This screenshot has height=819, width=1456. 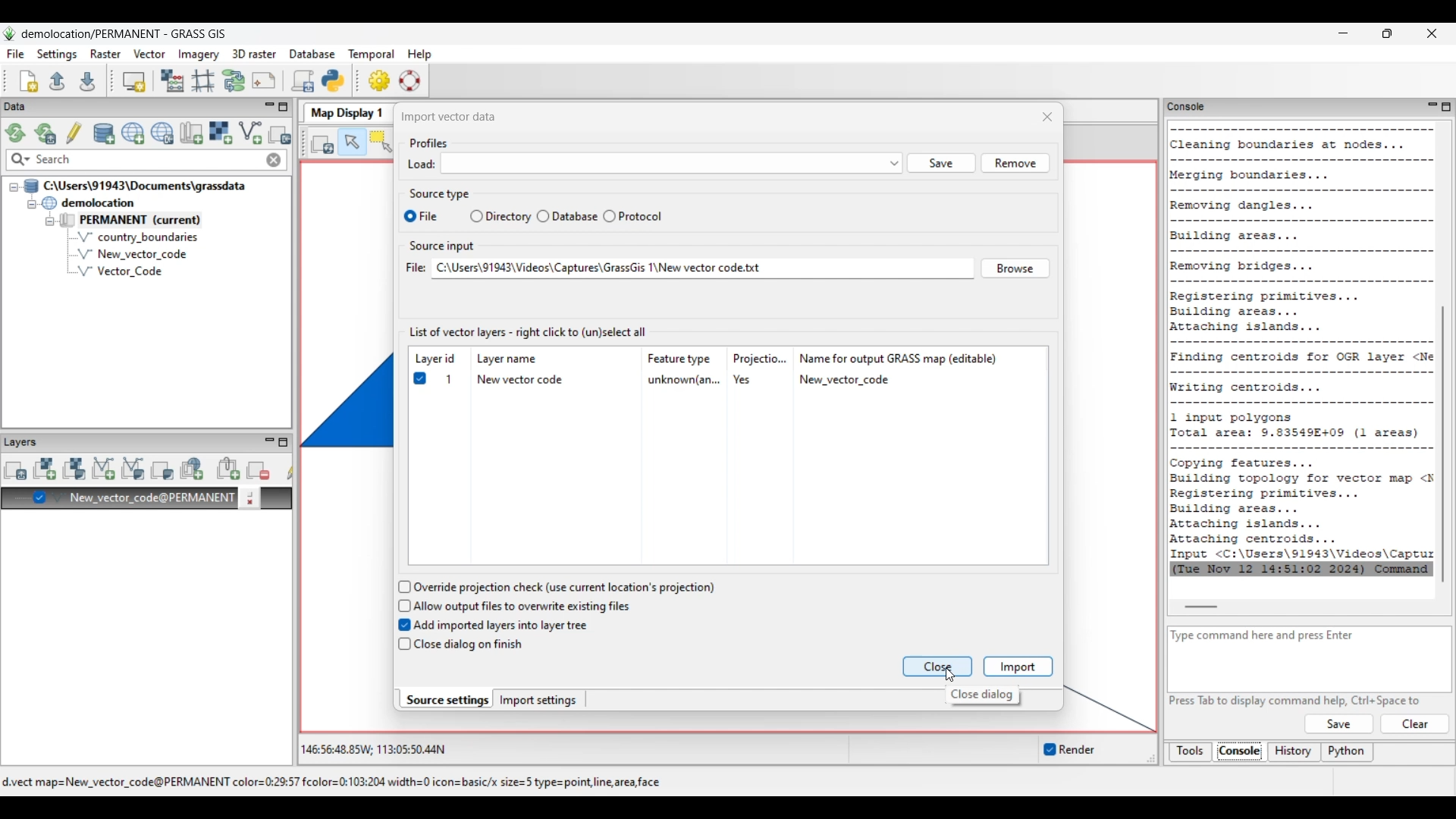 What do you see at coordinates (28, 107) in the screenshot?
I see `Data` at bounding box center [28, 107].